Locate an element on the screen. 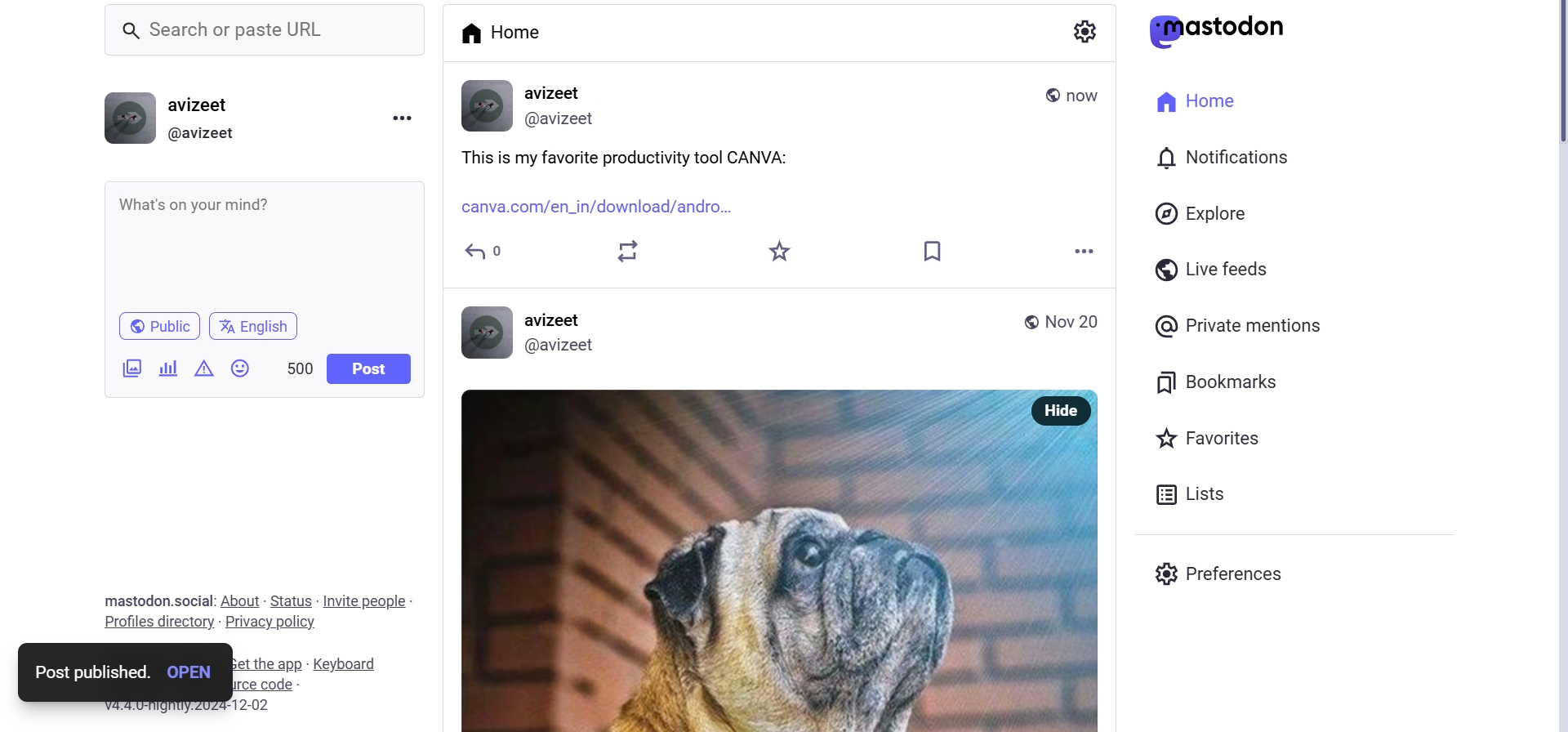  open is located at coordinates (193, 672).